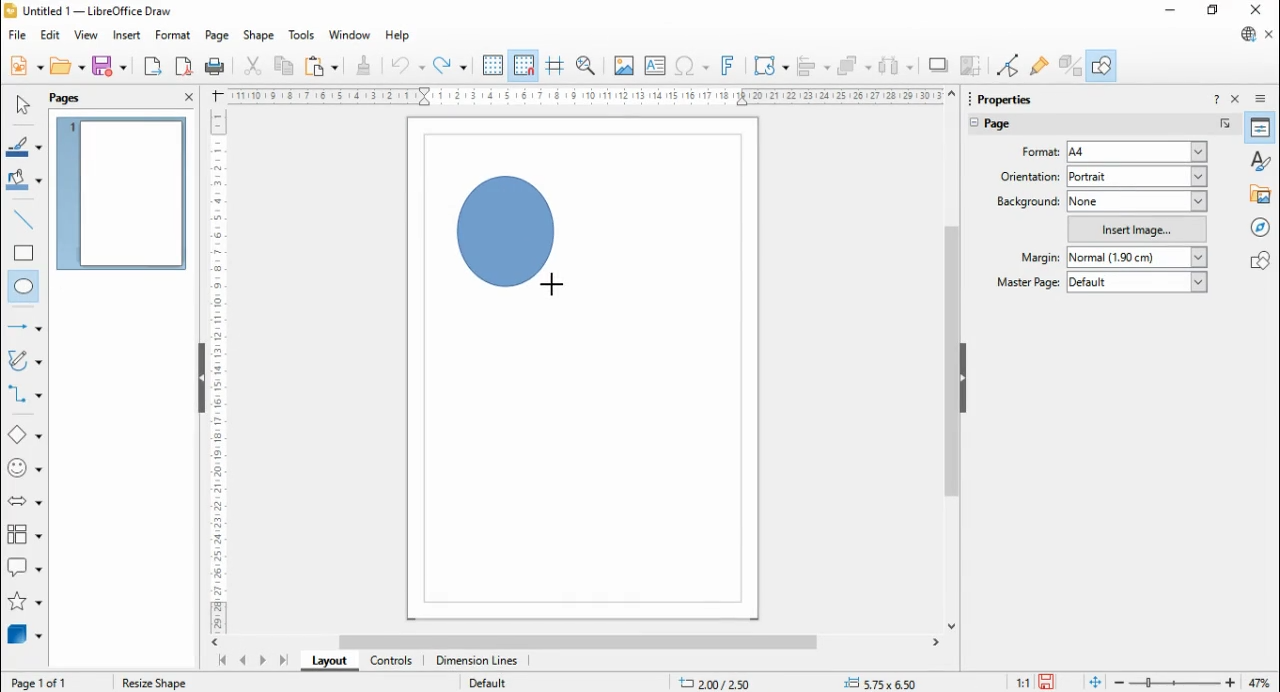  I want to click on default, so click(1137, 281).